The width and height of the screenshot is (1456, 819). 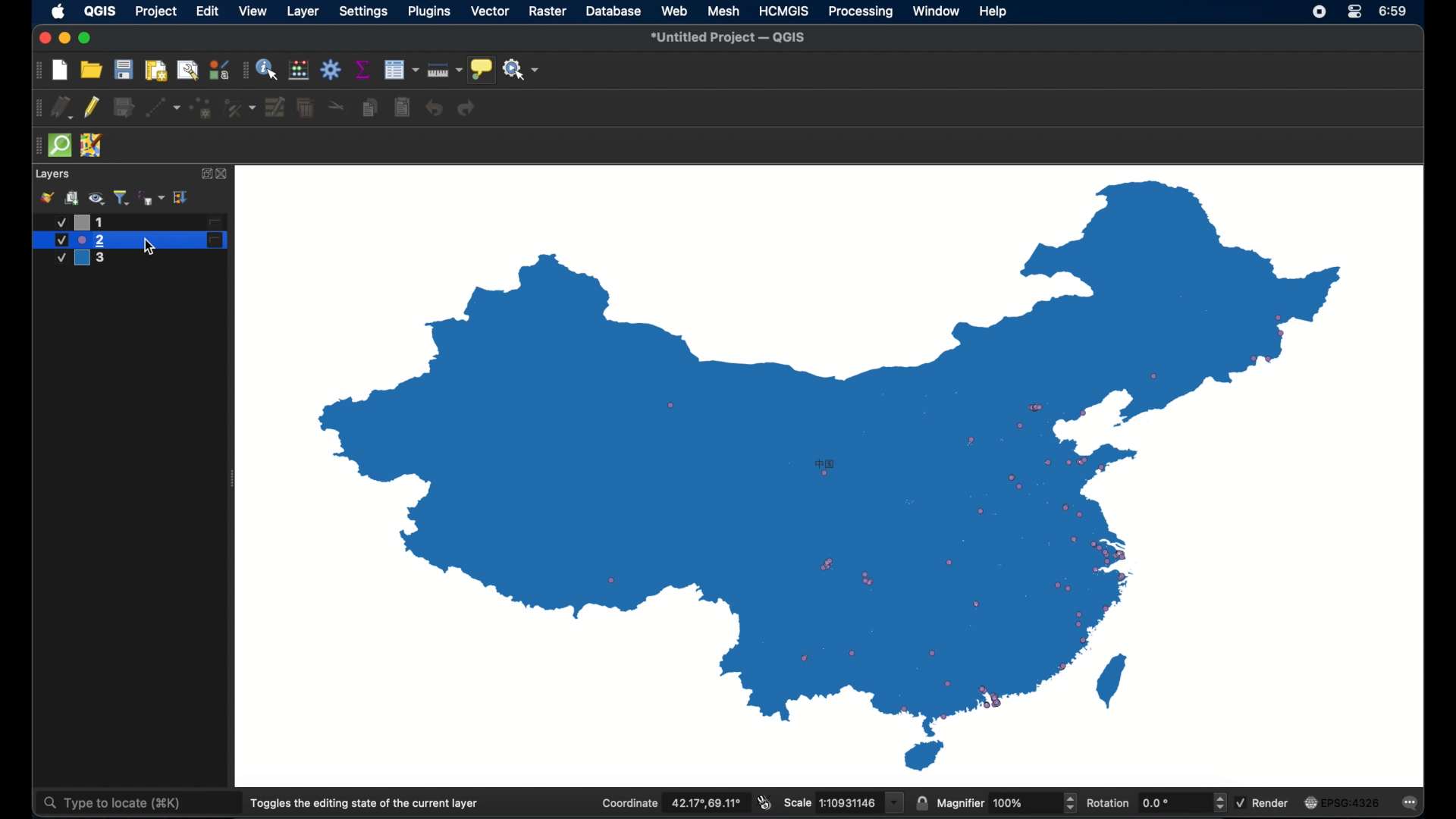 I want to click on coordinate, so click(x=673, y=804).